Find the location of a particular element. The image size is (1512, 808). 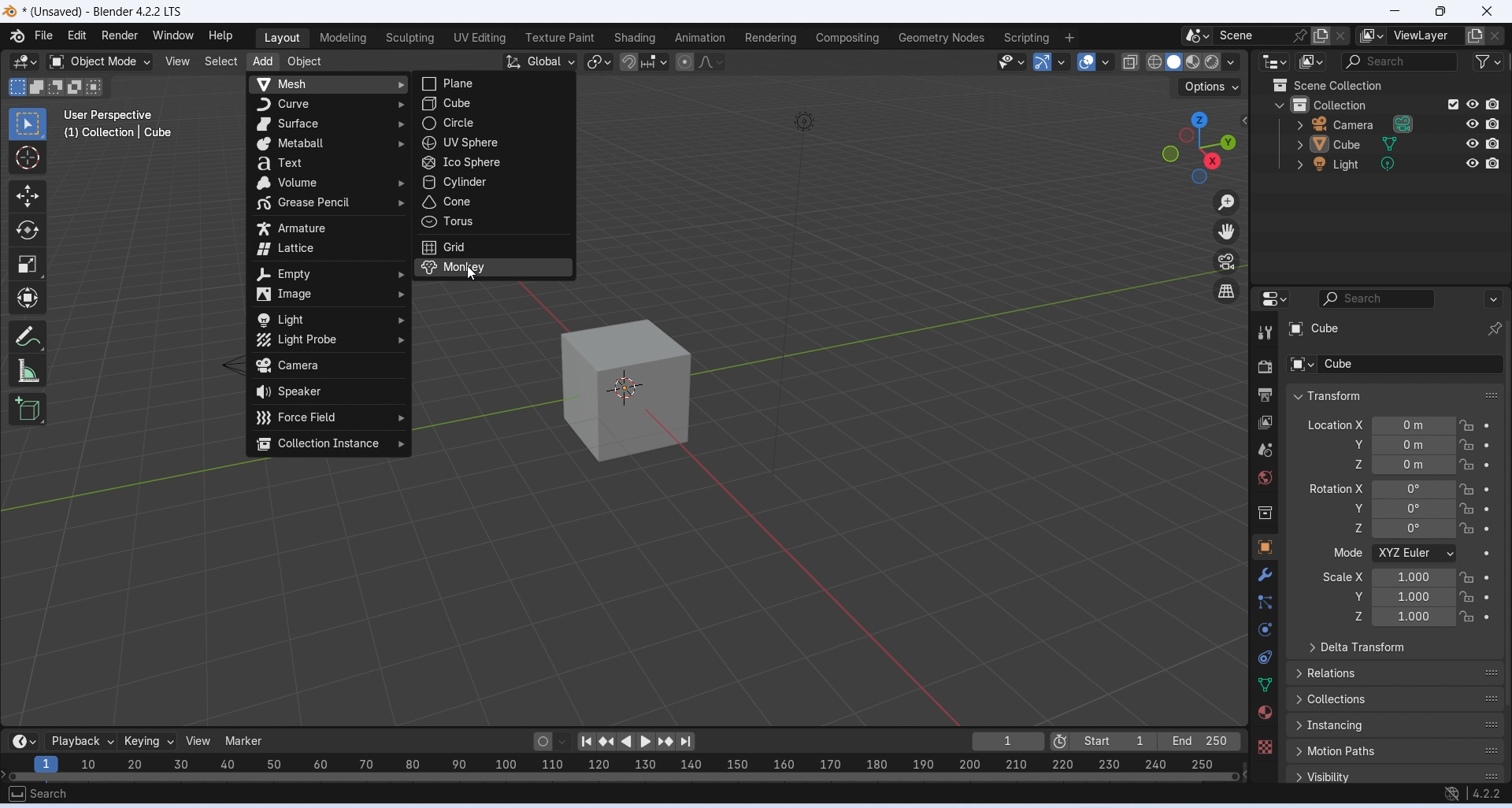

data is located at coordinates (1266, 684).